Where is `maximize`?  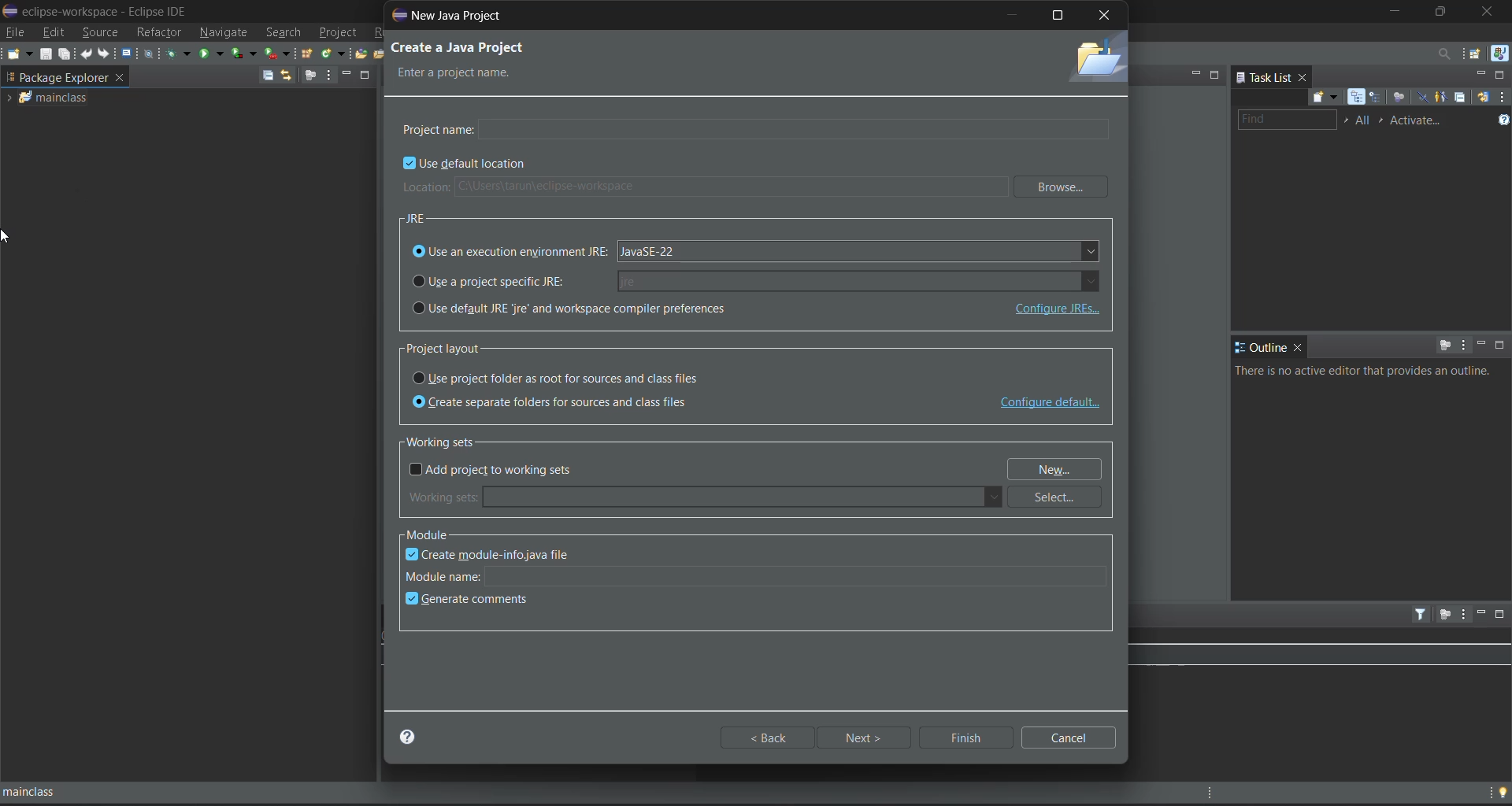 maximize is located at coordinates (1503, 615).